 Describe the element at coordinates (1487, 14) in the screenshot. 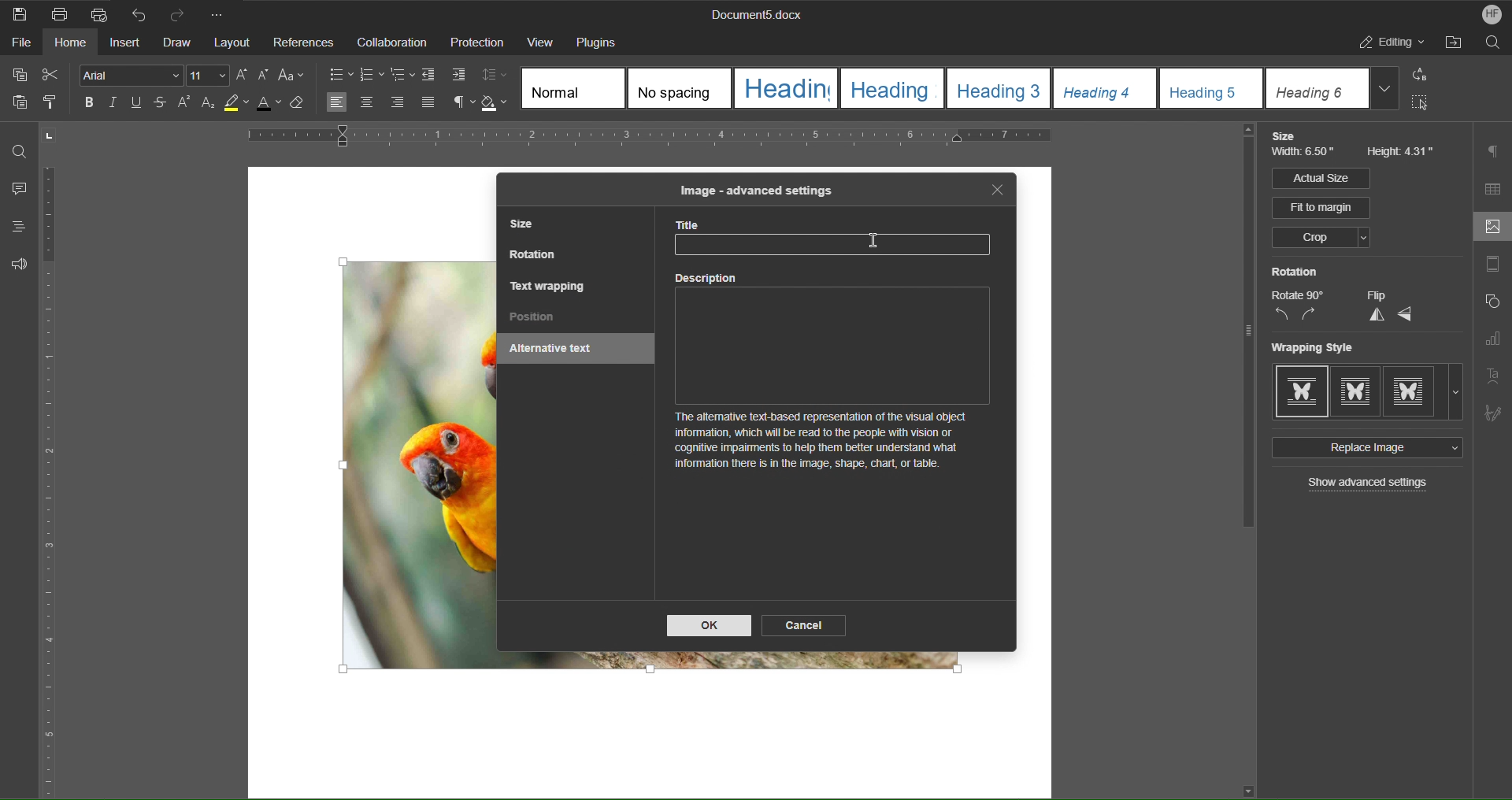

I see `Account` at that location.